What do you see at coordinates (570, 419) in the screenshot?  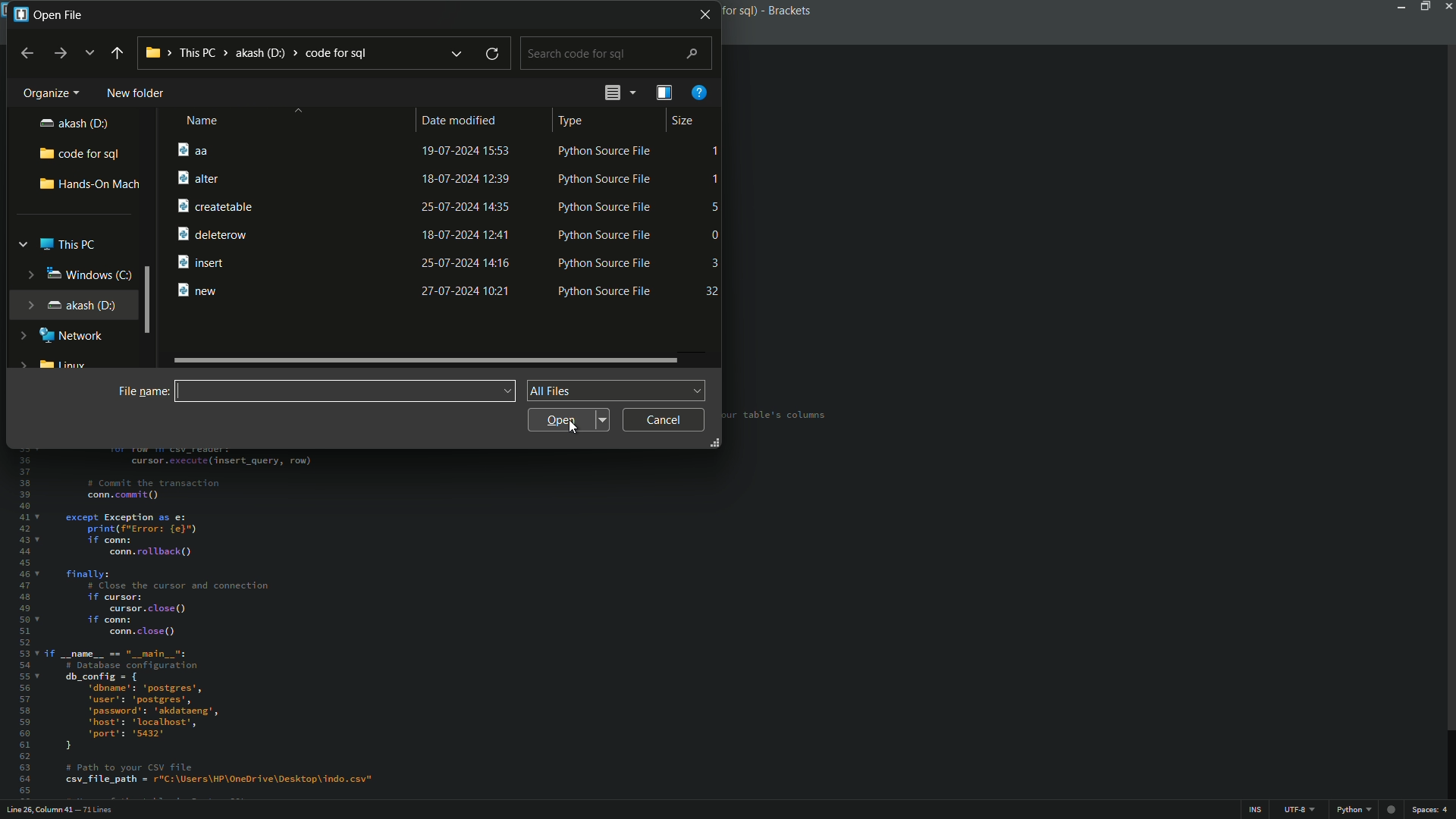 I see `open` at bounding box center [570, 419].